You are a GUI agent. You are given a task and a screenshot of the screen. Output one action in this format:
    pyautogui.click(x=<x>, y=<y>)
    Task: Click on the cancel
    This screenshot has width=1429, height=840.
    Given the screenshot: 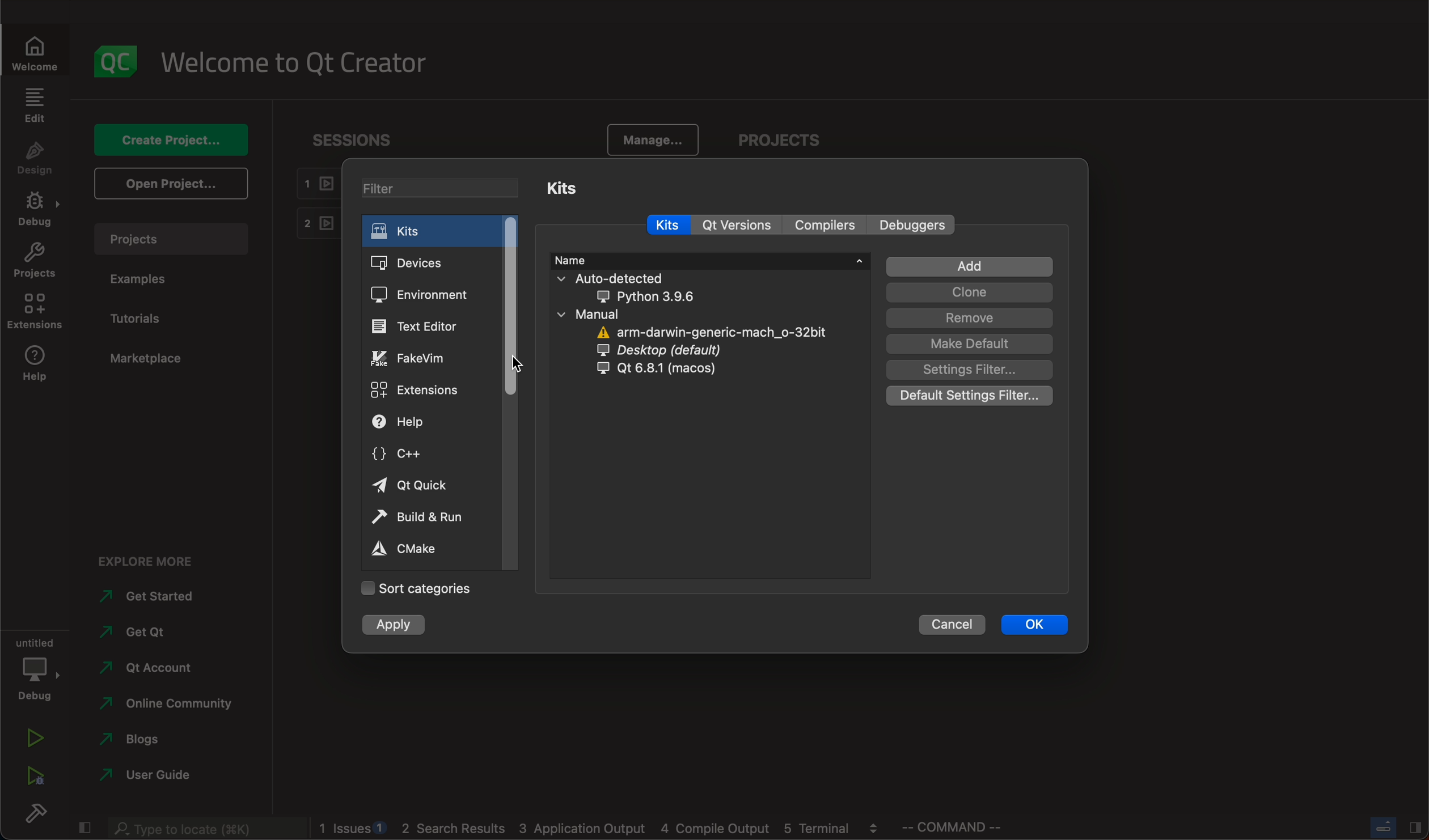 What is the action you would take?
    pyautogui.click(x=952, y=624)
    